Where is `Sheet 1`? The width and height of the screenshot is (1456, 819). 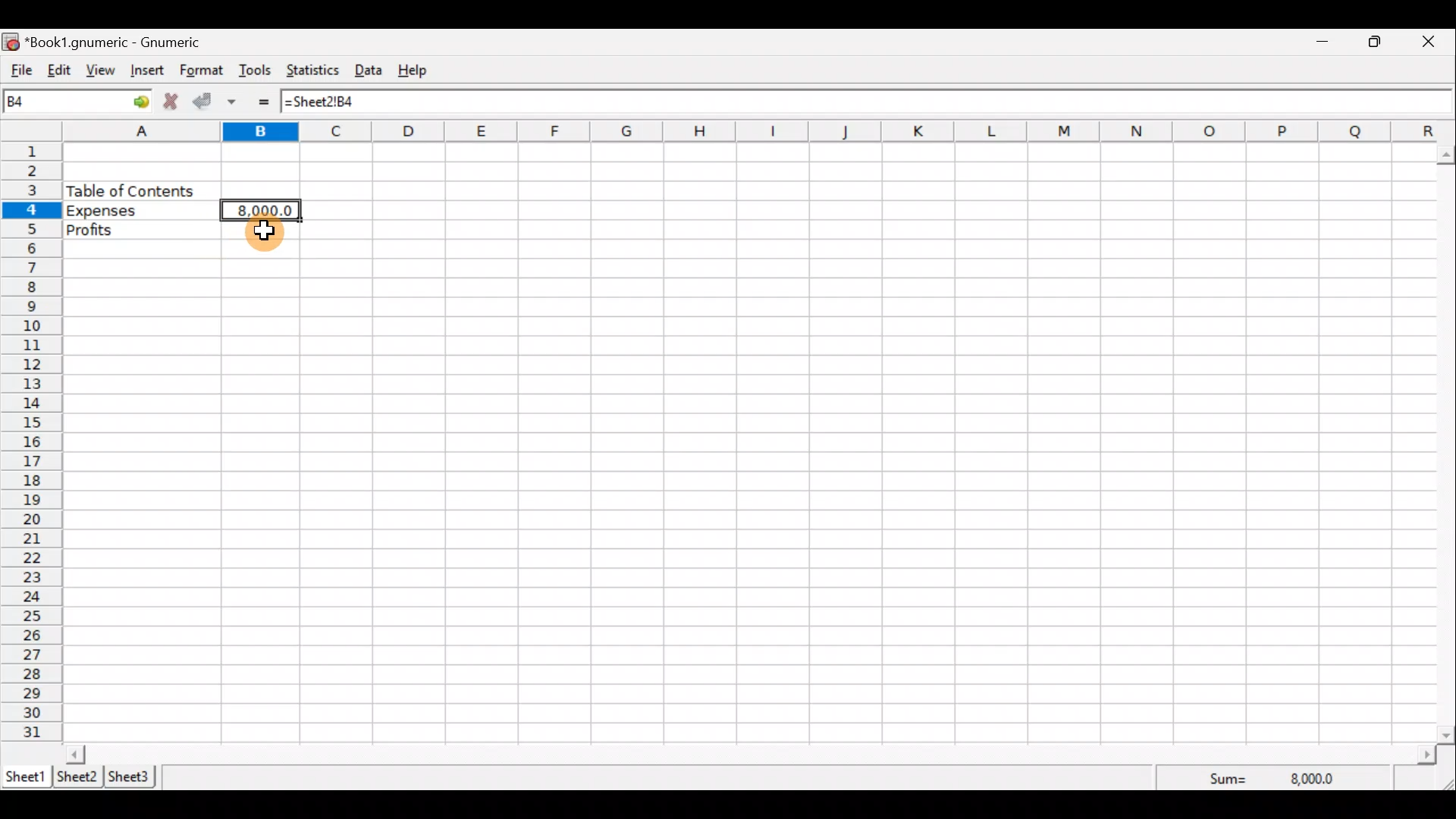
Sheet 1 is located at coordinates (26, 775).